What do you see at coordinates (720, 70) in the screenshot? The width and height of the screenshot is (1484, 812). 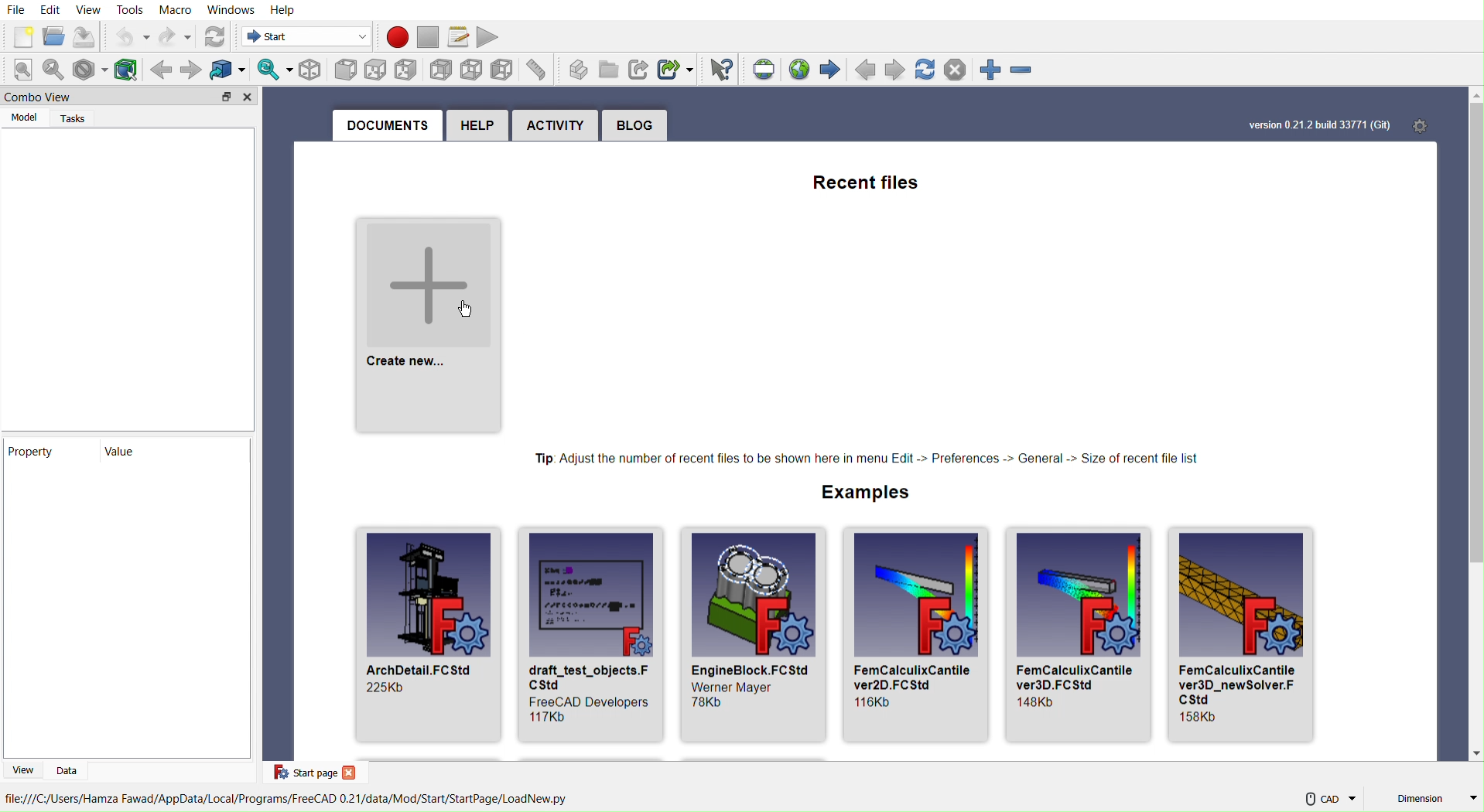 I see `What's This` at bounding box center [720, 70].